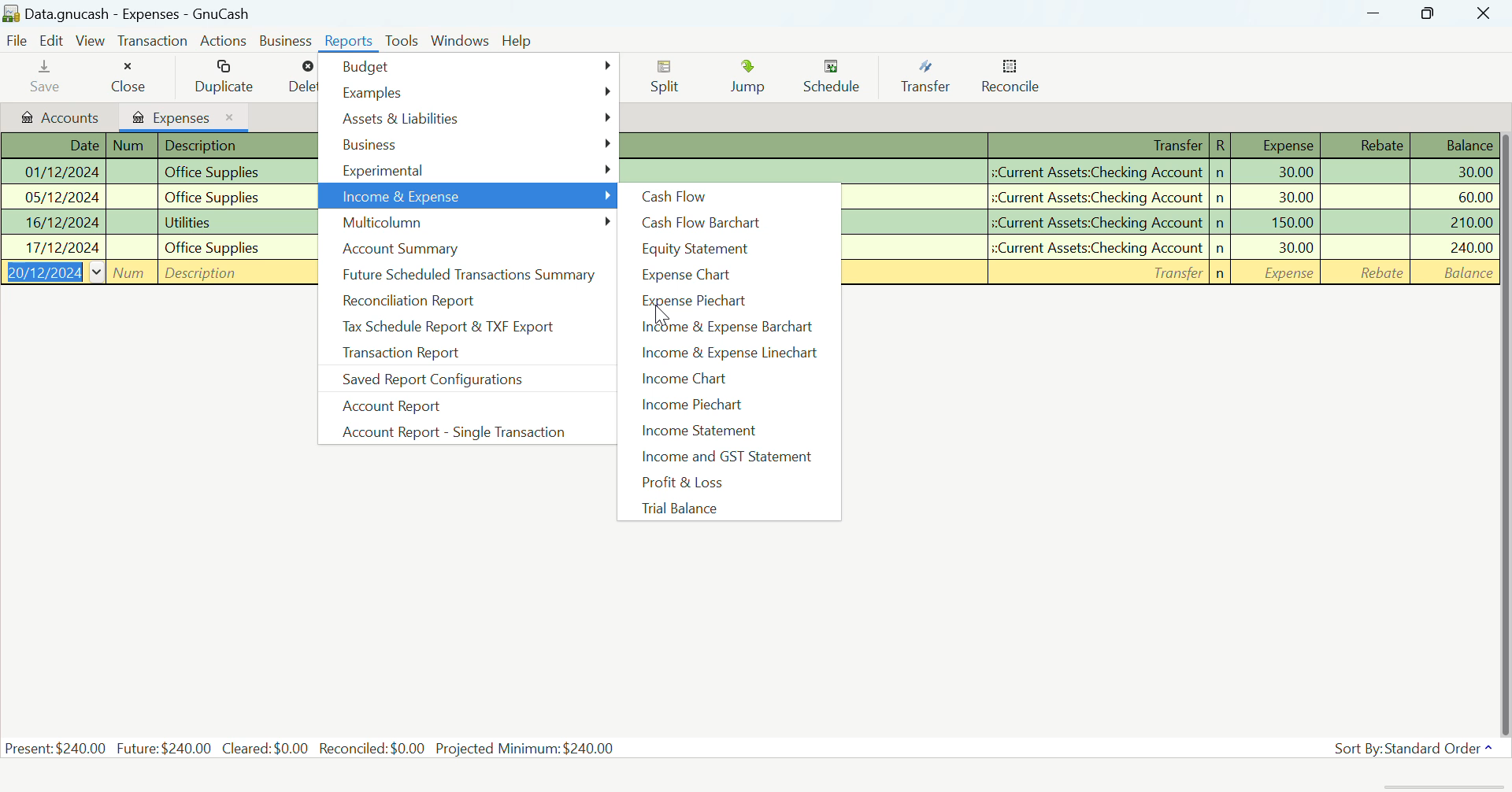 Image resolution: width=1512 pixels, height=792 pixels. I want to click on Cursor on Expense Piechart, so click(661, 309).